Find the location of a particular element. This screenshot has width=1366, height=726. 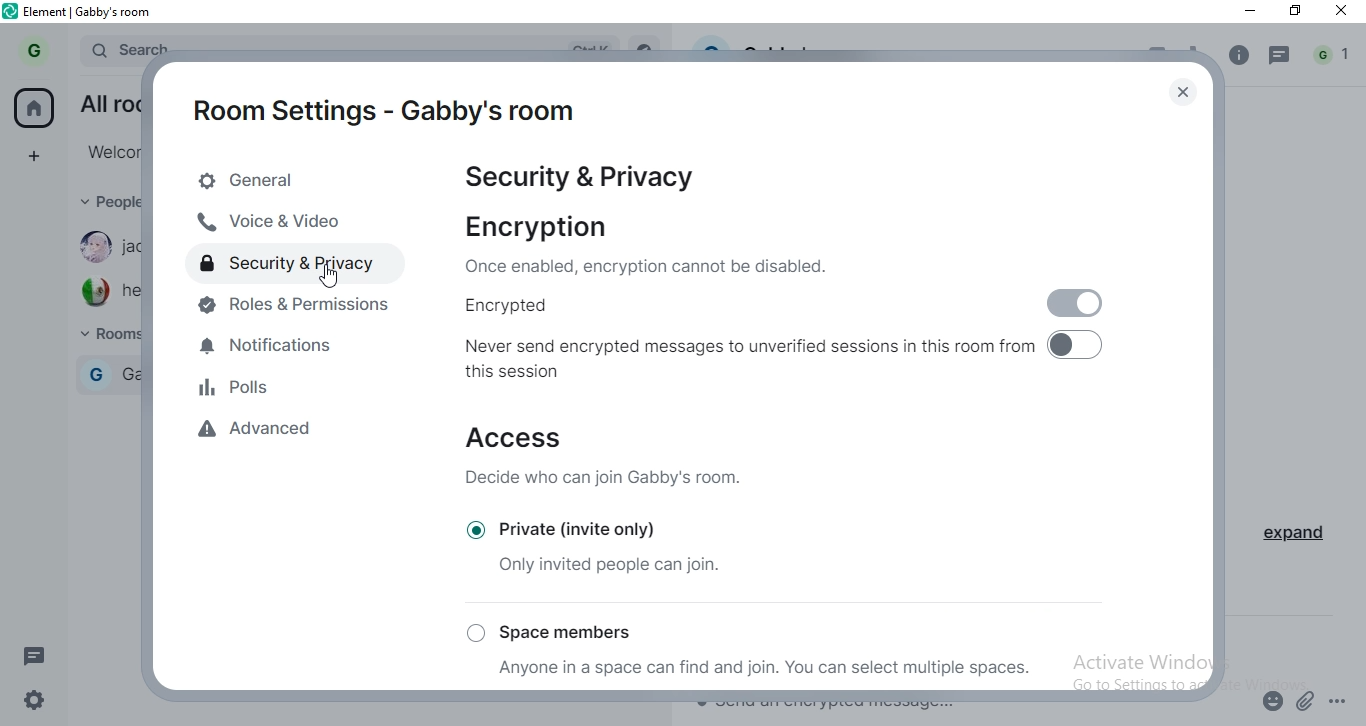

roles & permissions is located at coordinates (297, 311).